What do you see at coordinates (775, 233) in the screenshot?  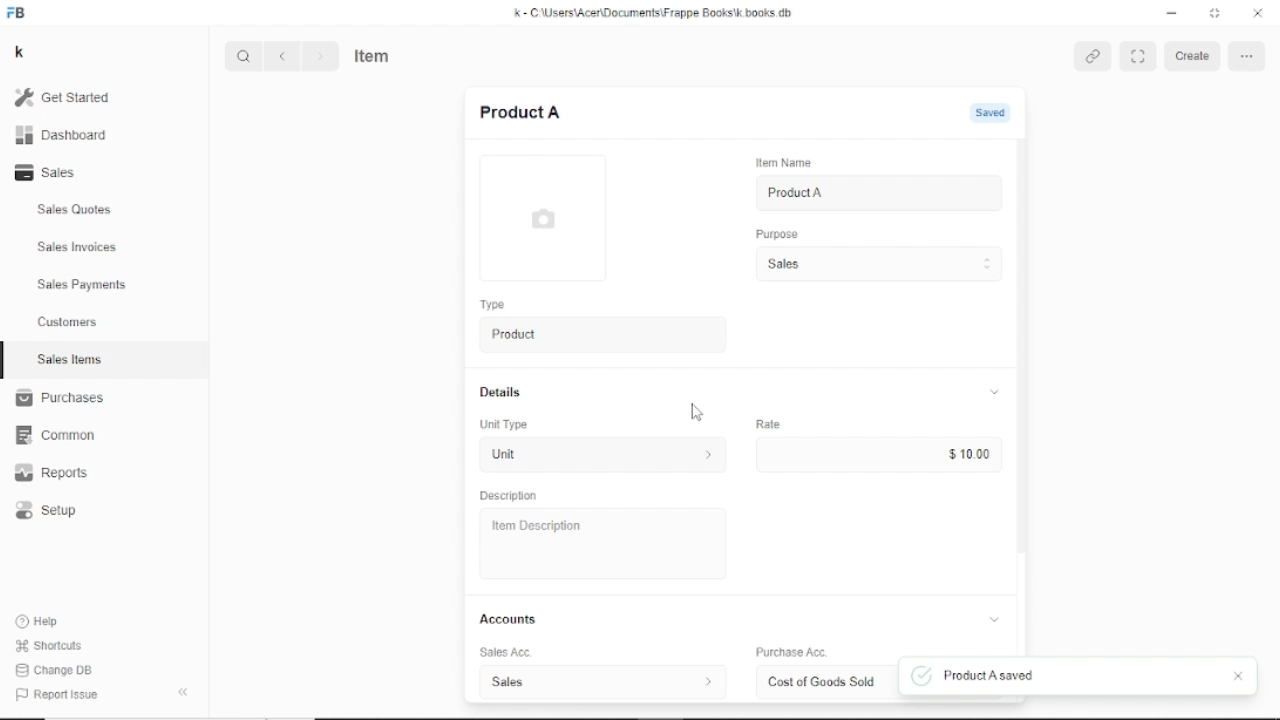 I see `Purpose` at bounding box center [775, 233].